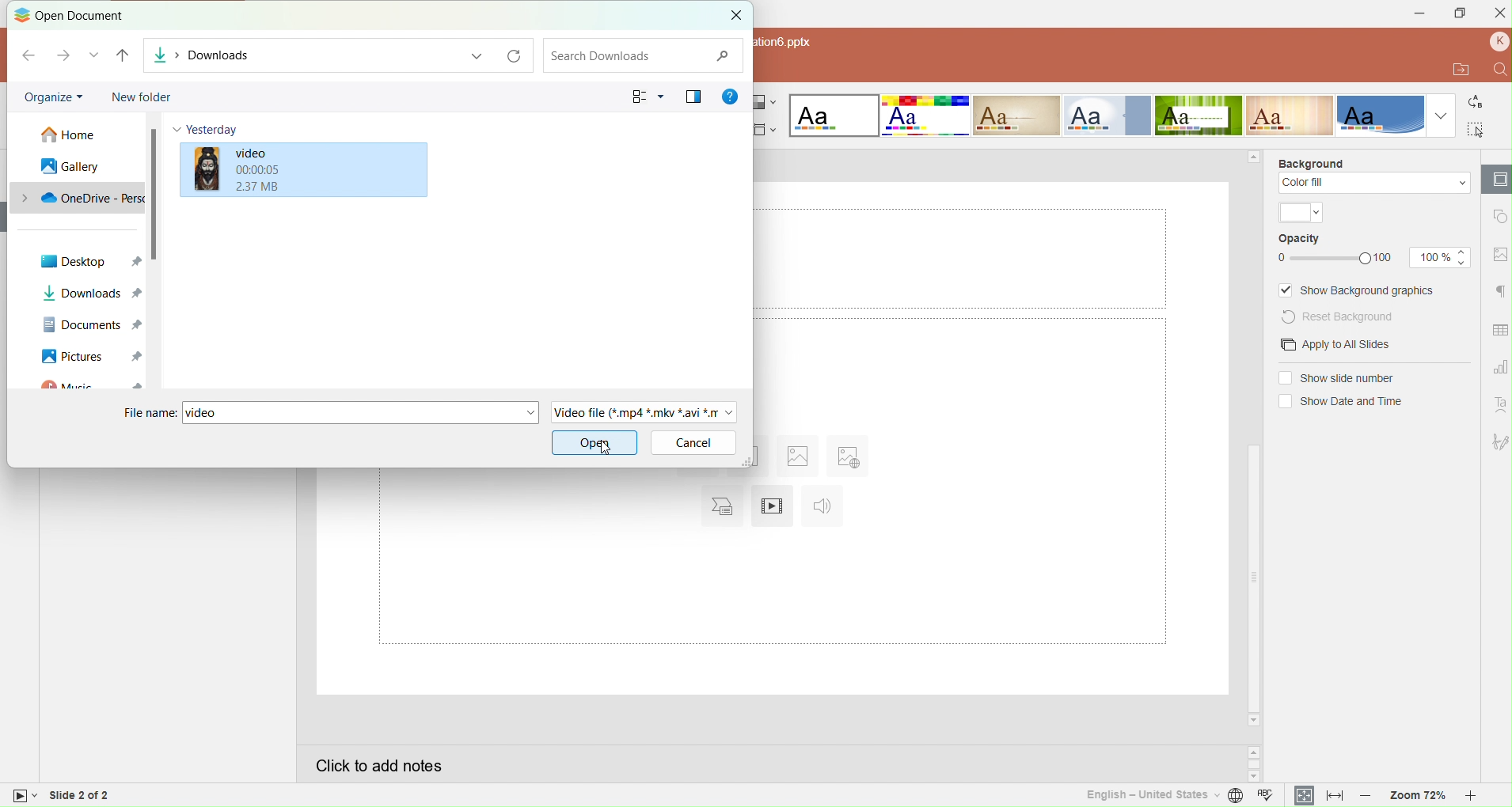 This screenshot has height=807, width=1512. What do you see at coordinates (1439, 116) in the screenshot?
I see `Dropdown` at bounding box center [1439, 116].